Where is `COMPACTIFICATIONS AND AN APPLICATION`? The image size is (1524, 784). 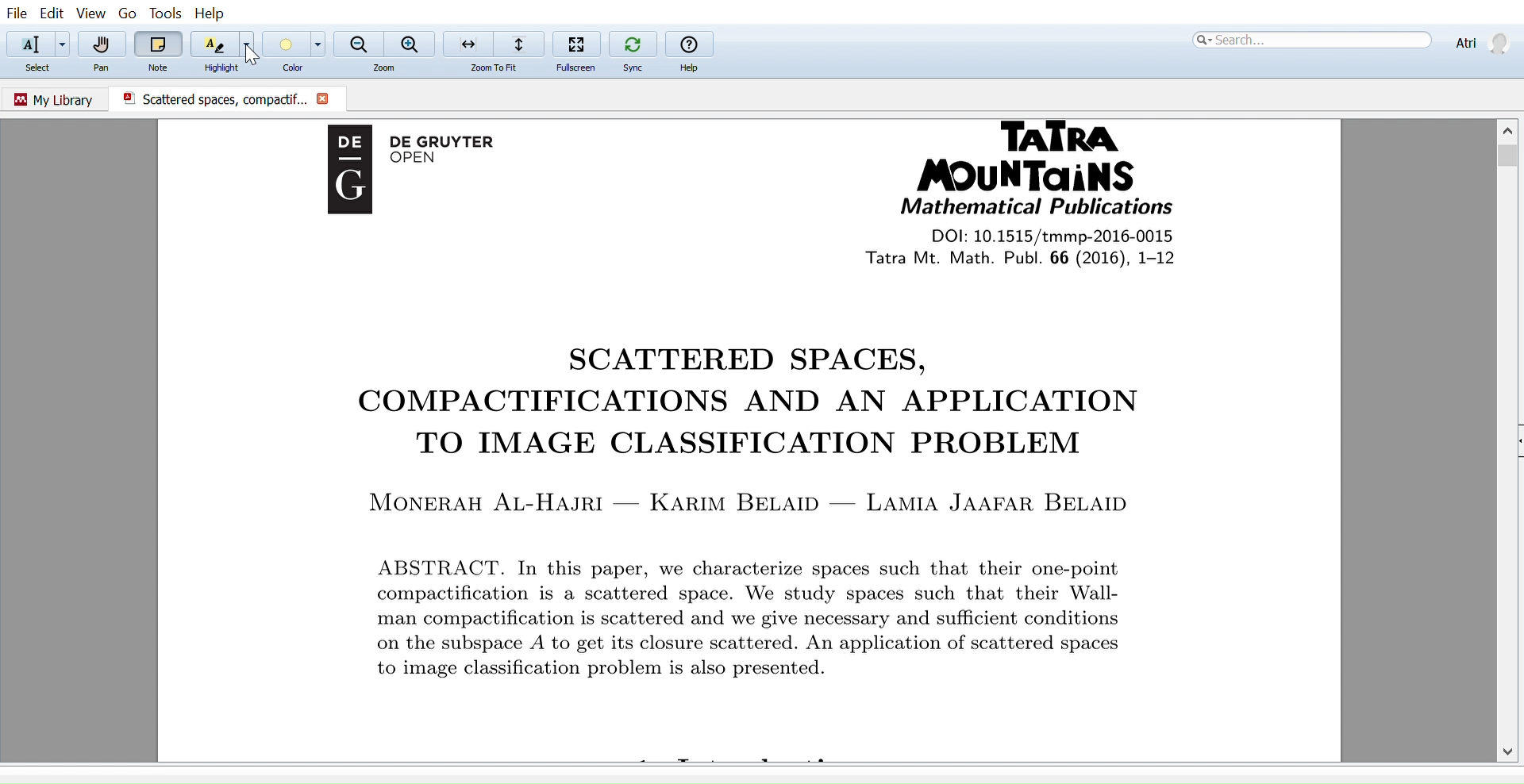 COMPACTIFICATIONS AND AN APPLICATION is located at coordinates (733, 404).